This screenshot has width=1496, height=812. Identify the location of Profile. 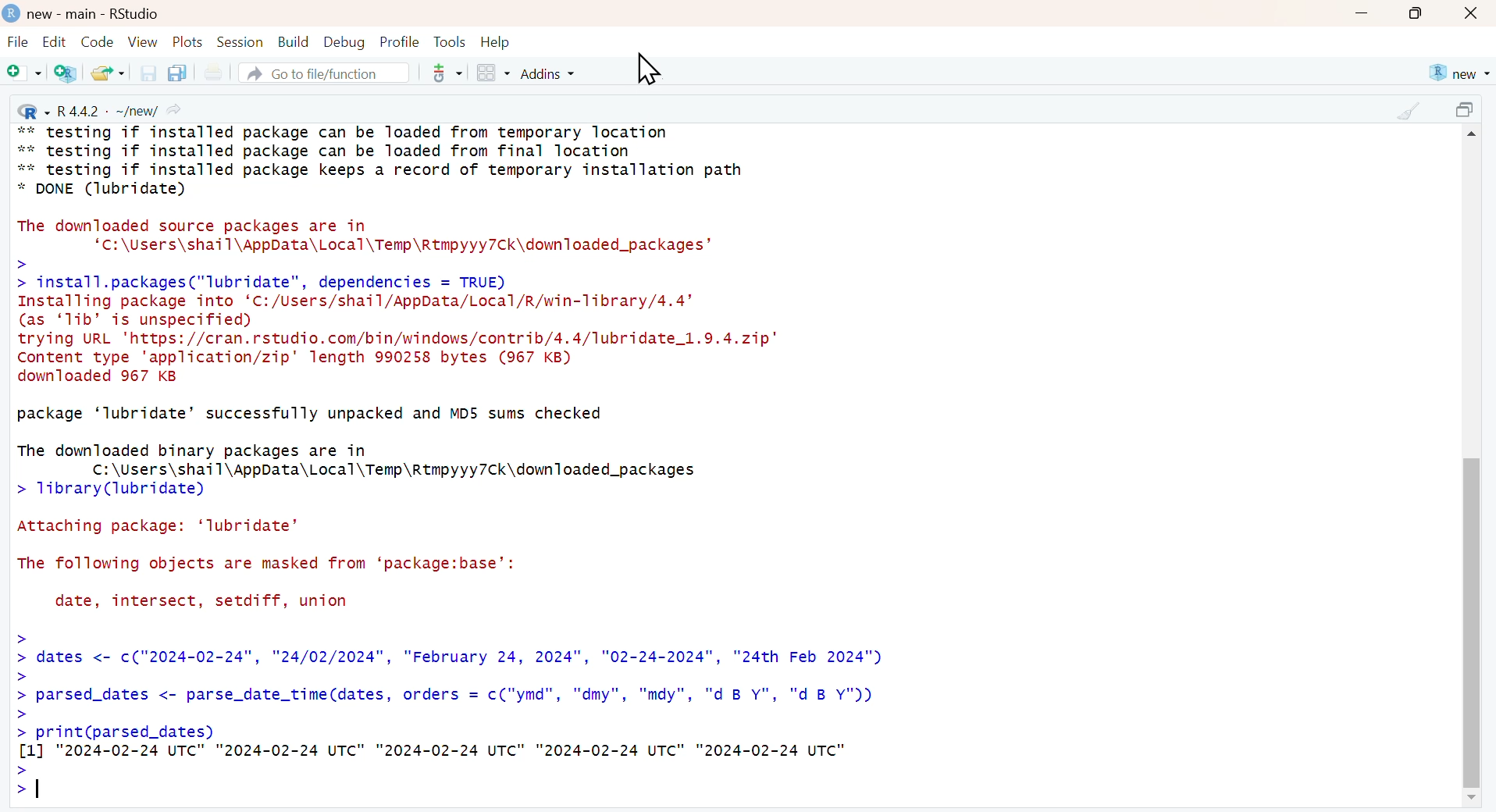
(400, 41).